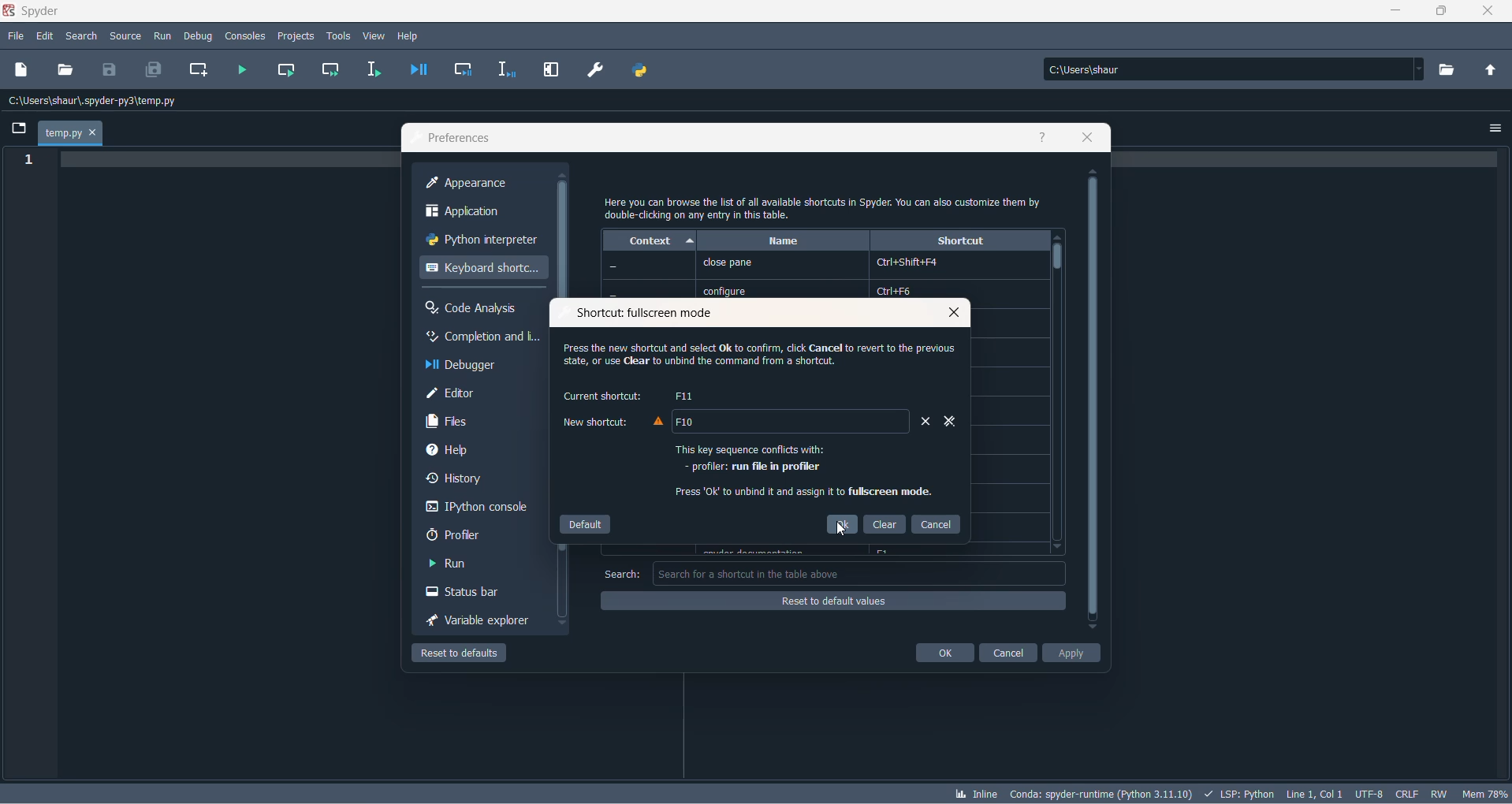 This screenshot has width=1512, height=804. What do you see at coordinates (473, 449) in the screenshot?
I see `help` at bounding box center [473, 449].